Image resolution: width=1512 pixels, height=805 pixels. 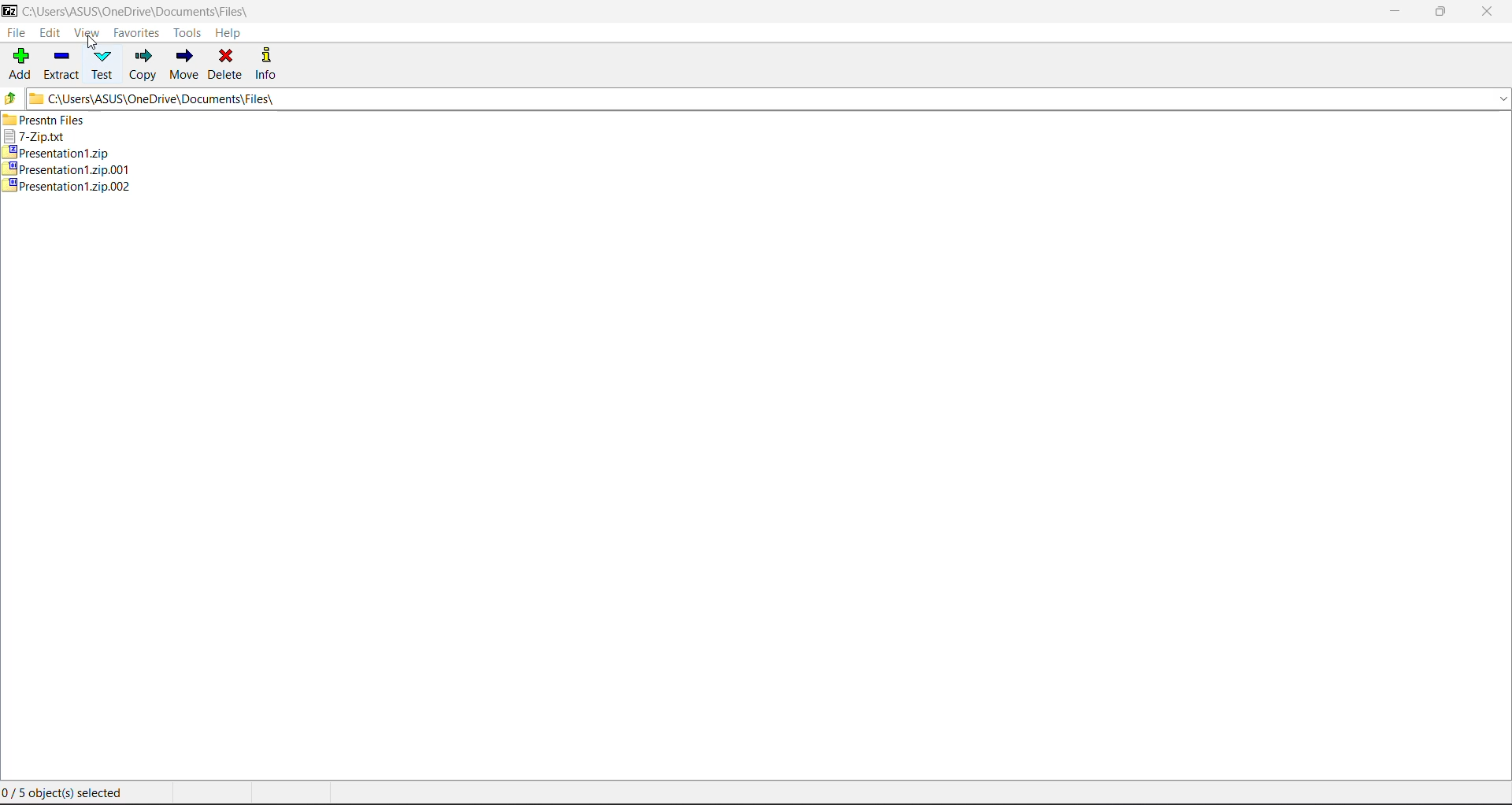 I want to click on Current Selection, so click(x=69, y=795).